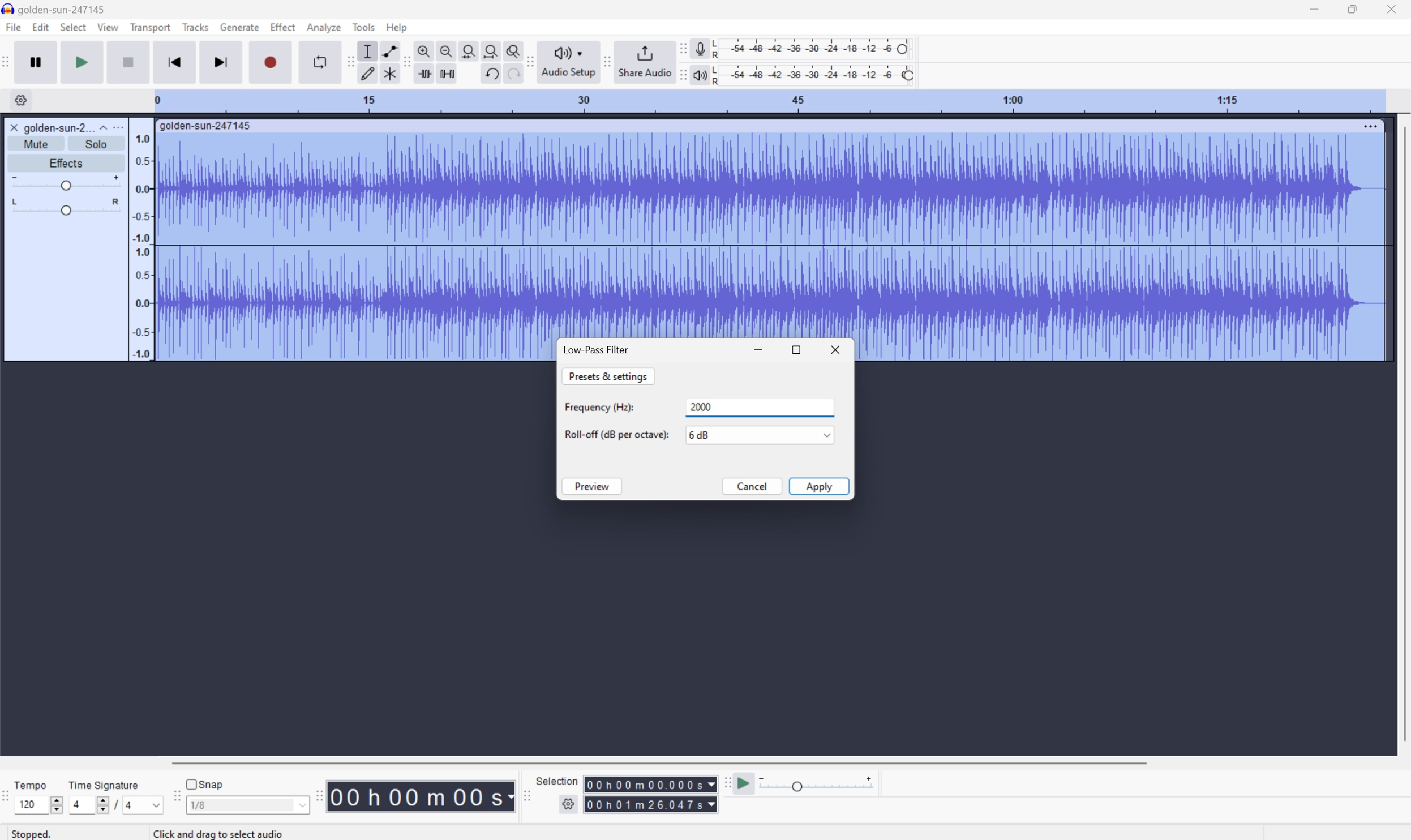  What do you see at coordinates (650, 804) in the screenshot?
I see `Selection` at bounding box center [650, 804].